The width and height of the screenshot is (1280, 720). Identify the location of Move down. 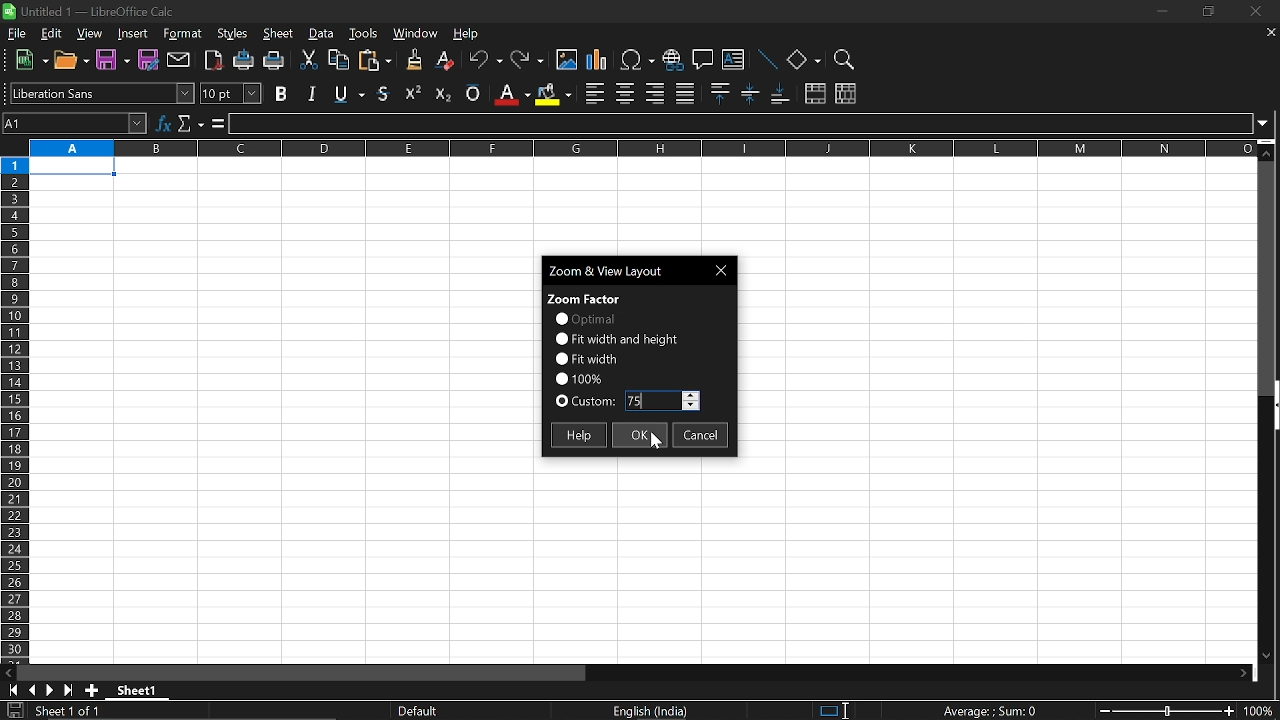
(1265, 654).